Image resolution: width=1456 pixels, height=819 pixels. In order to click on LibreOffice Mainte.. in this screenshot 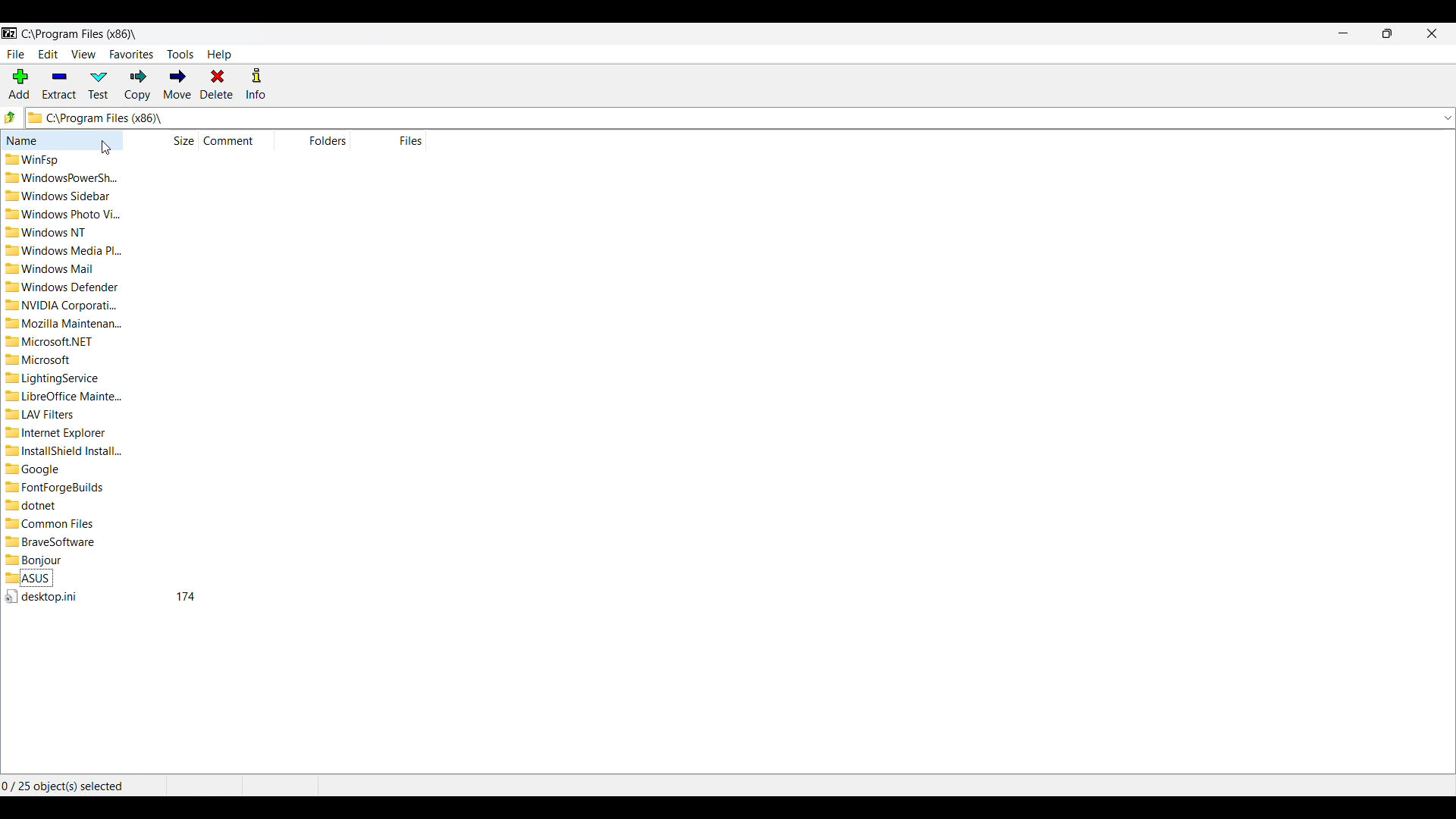, I will do `click(67, 395)`.